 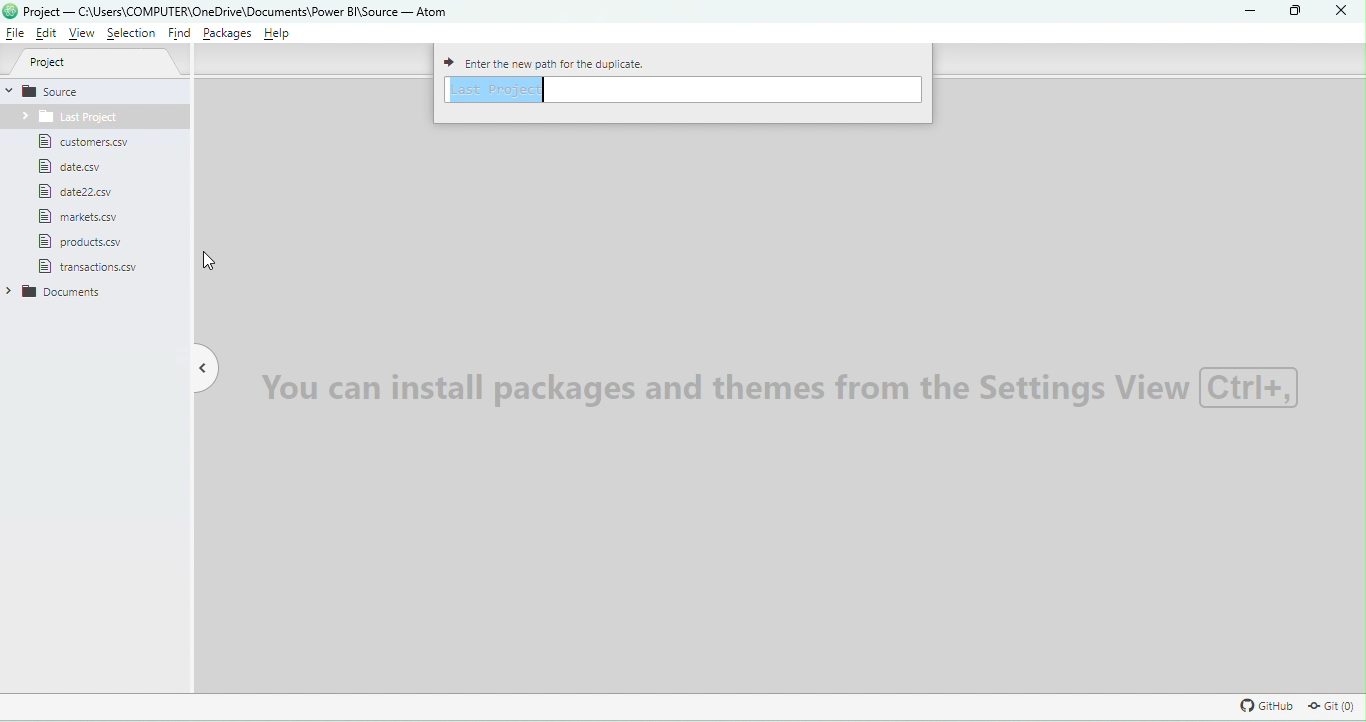 What do you see at coordinates (176, 33) in the screenshot?
I see `Find` at bounding box center [176, 33].